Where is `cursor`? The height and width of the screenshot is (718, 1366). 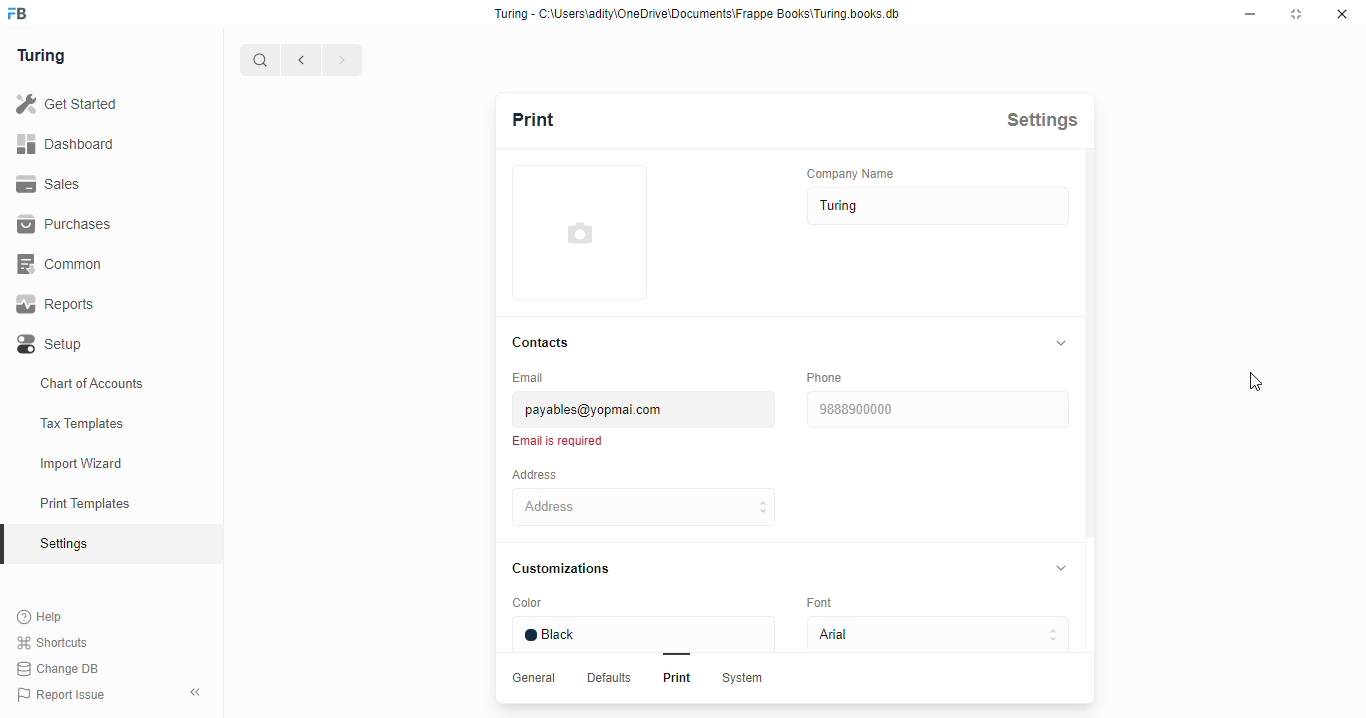 cursor is located at coordinates (1258, 383).